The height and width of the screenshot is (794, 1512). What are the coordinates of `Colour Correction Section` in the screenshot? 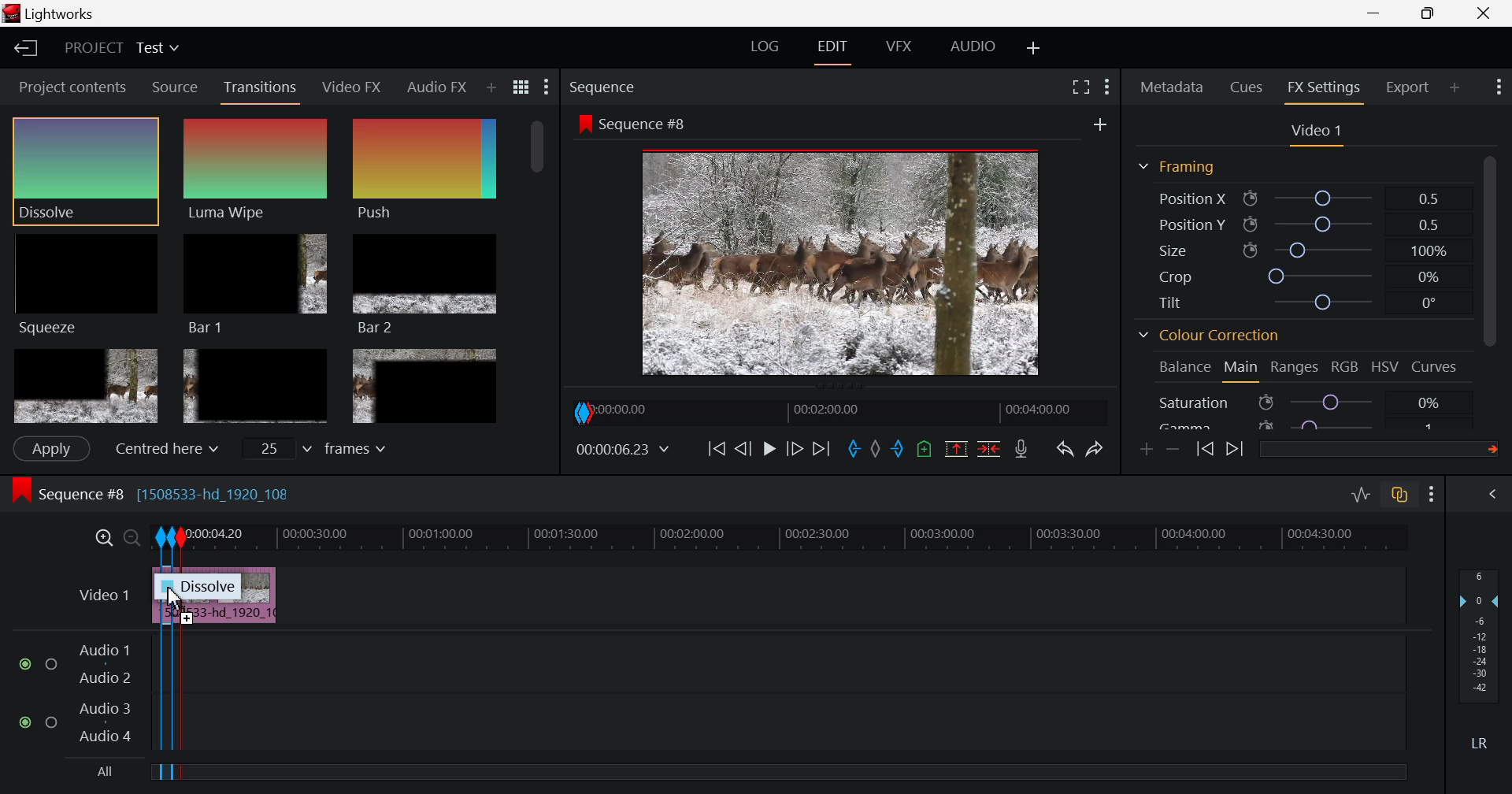 It's located at (1210, 337).